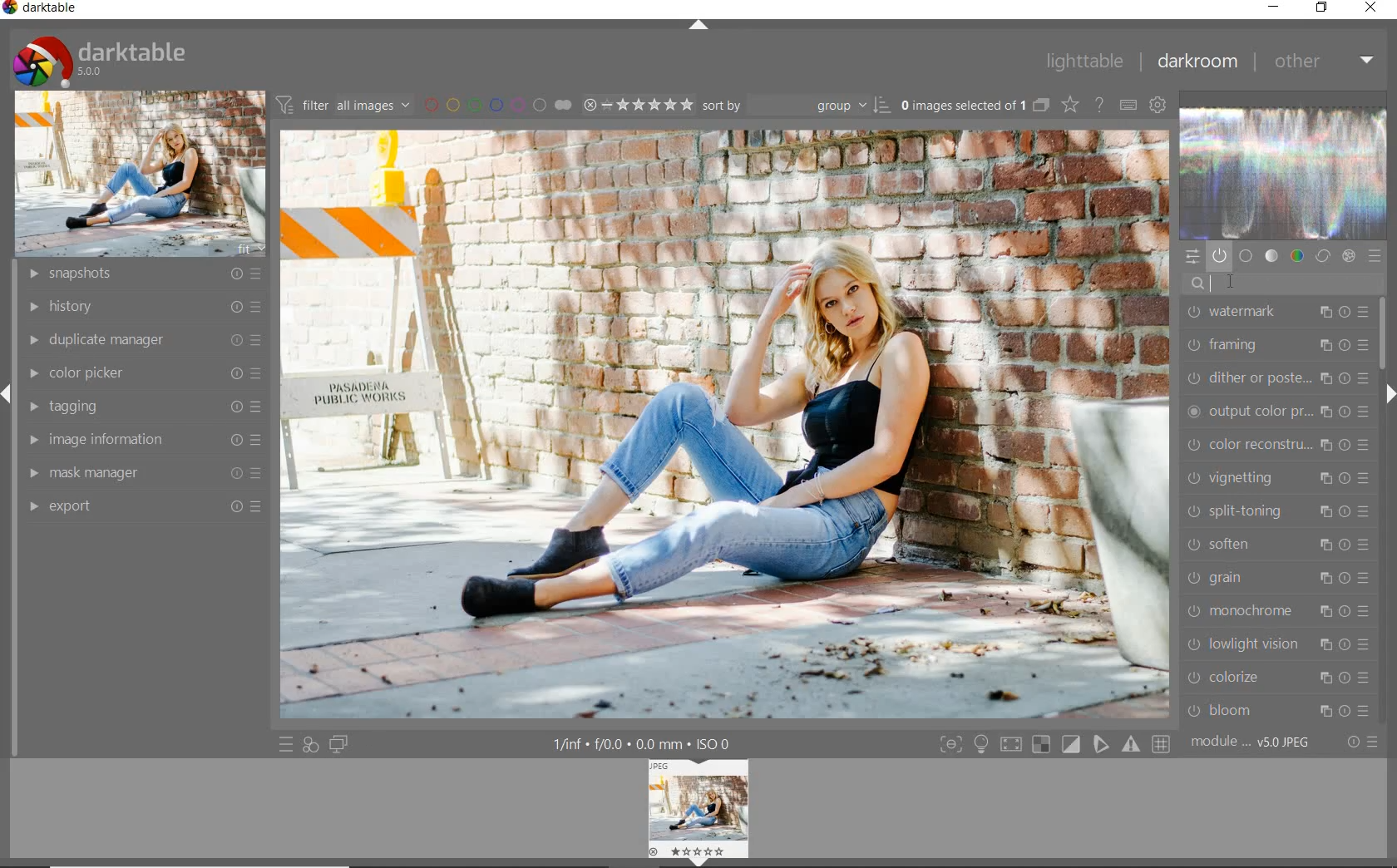 This screenshot has height=868, width=1397. Describe the element at coordinates (340, 104) in the screenshot. I see `filter all images` at that location.